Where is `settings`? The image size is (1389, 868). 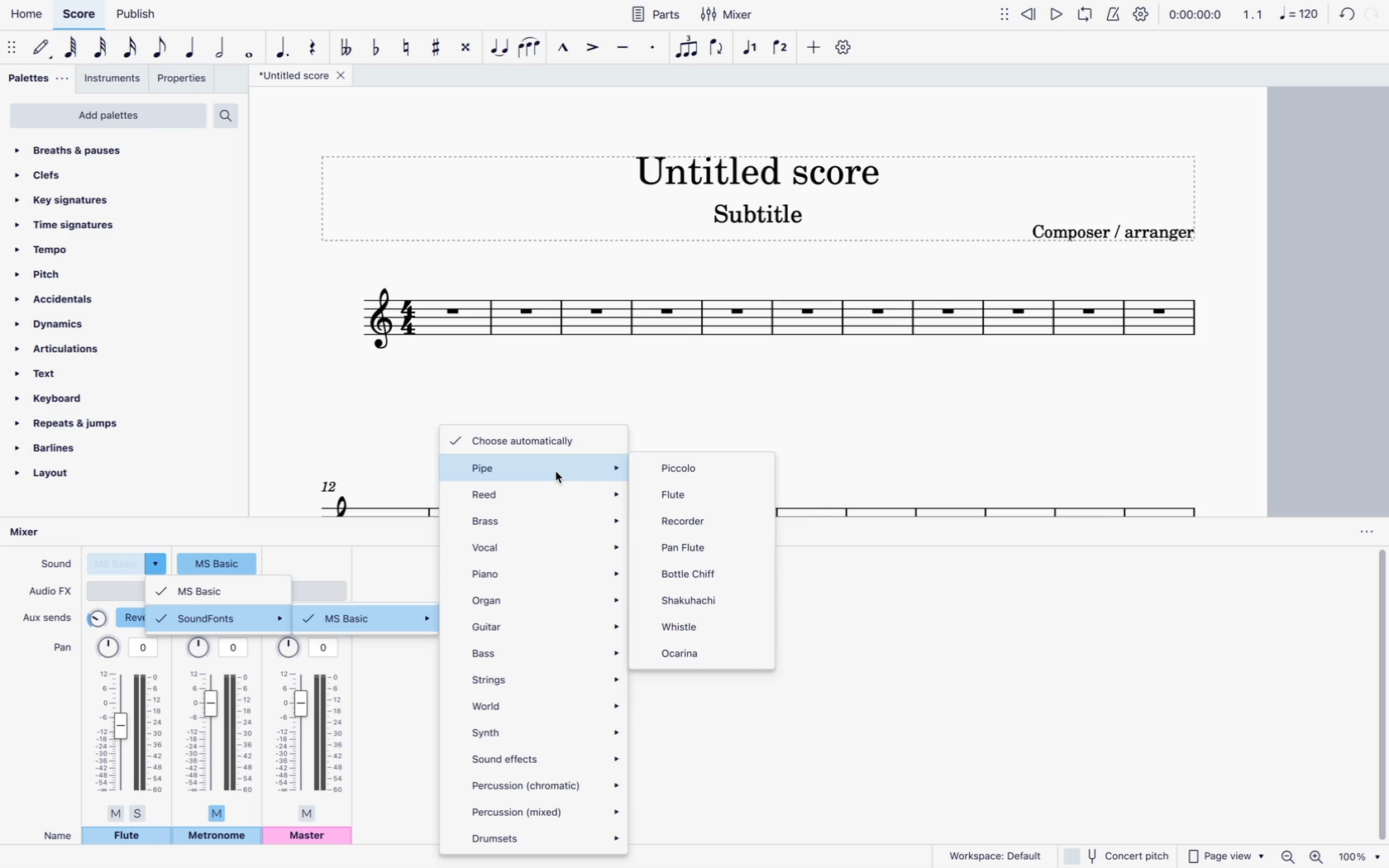 settings is located at coordinates (846, 47).